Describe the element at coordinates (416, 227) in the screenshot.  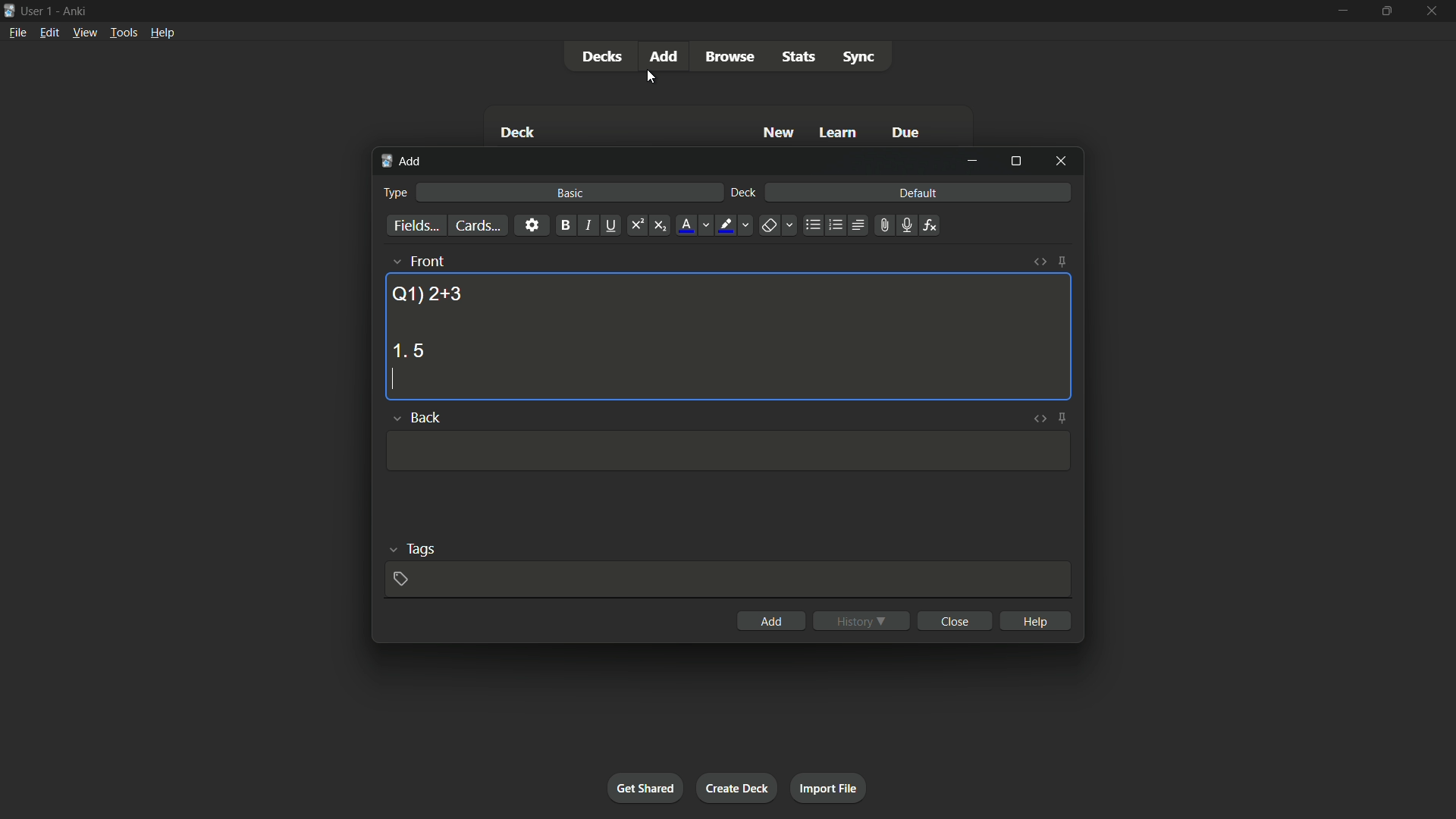
I see `fields` at that location.